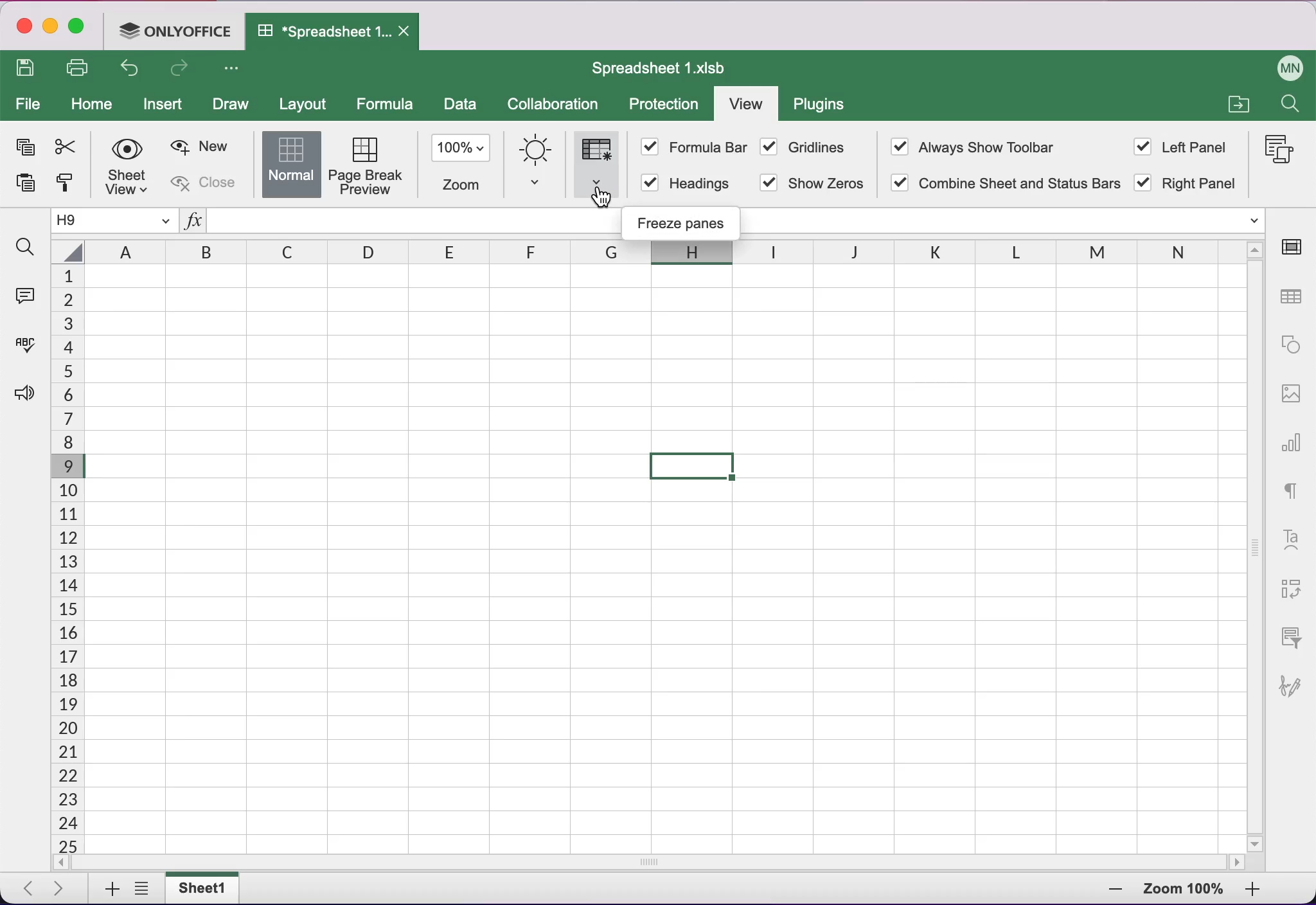  I want to click on zoom, so click(462, 165).